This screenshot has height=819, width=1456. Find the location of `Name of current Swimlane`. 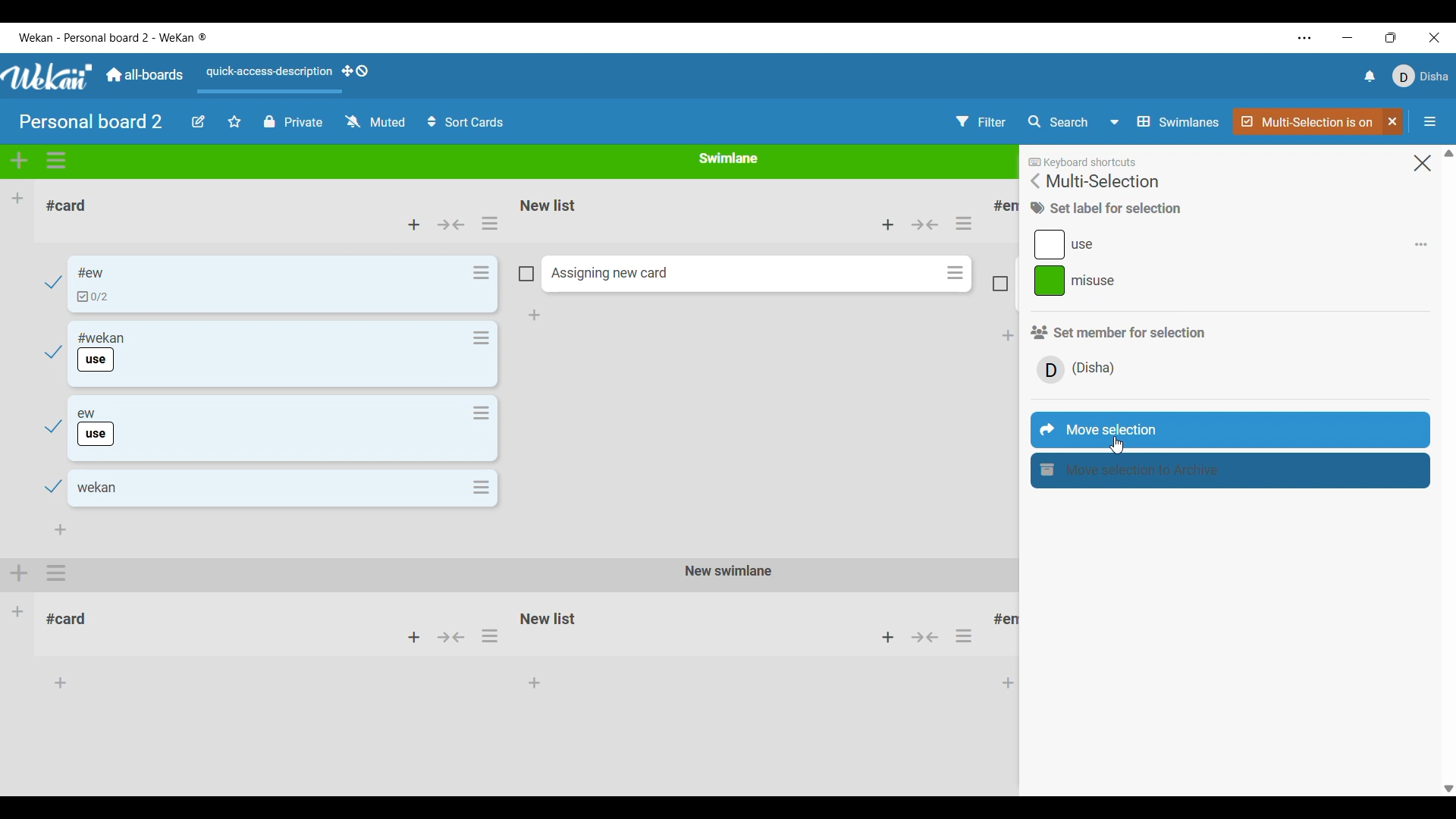

Name of current Swimlane is located at coordinates (730, 157).